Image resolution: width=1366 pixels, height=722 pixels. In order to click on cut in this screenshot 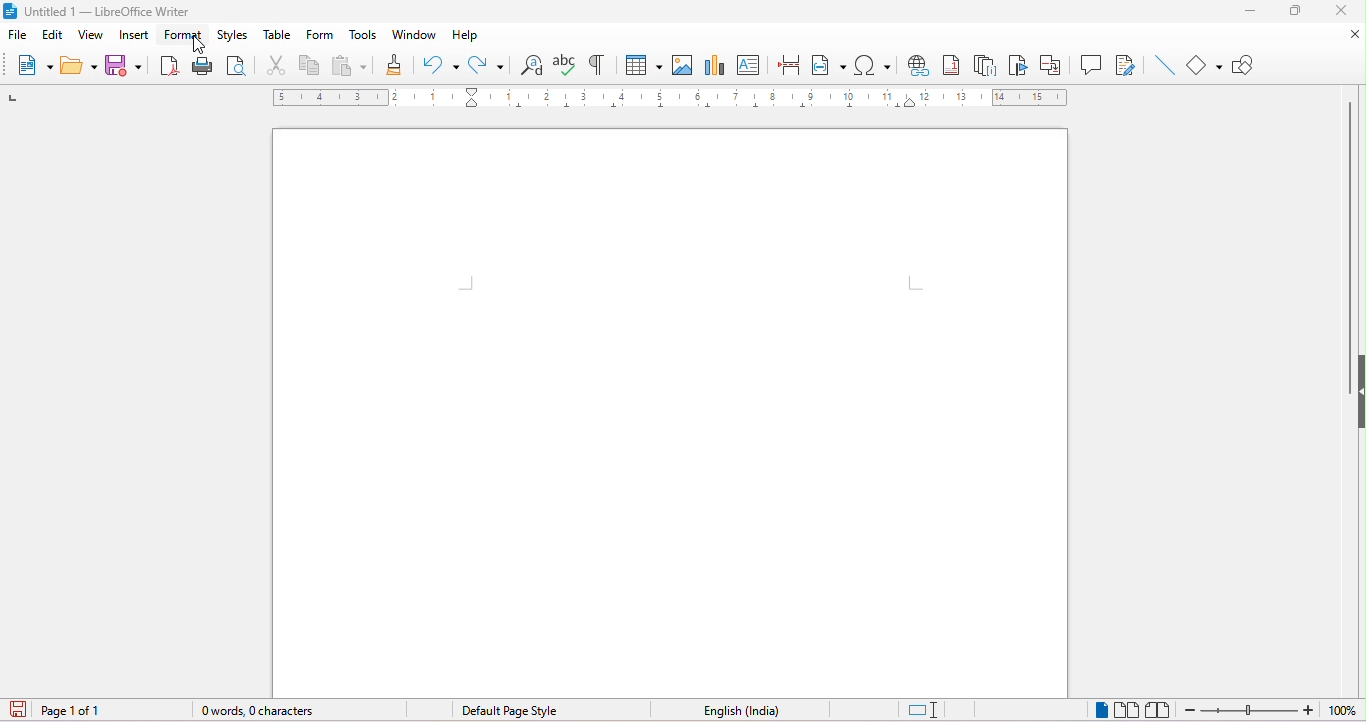, I will do `click(275, 67)`.